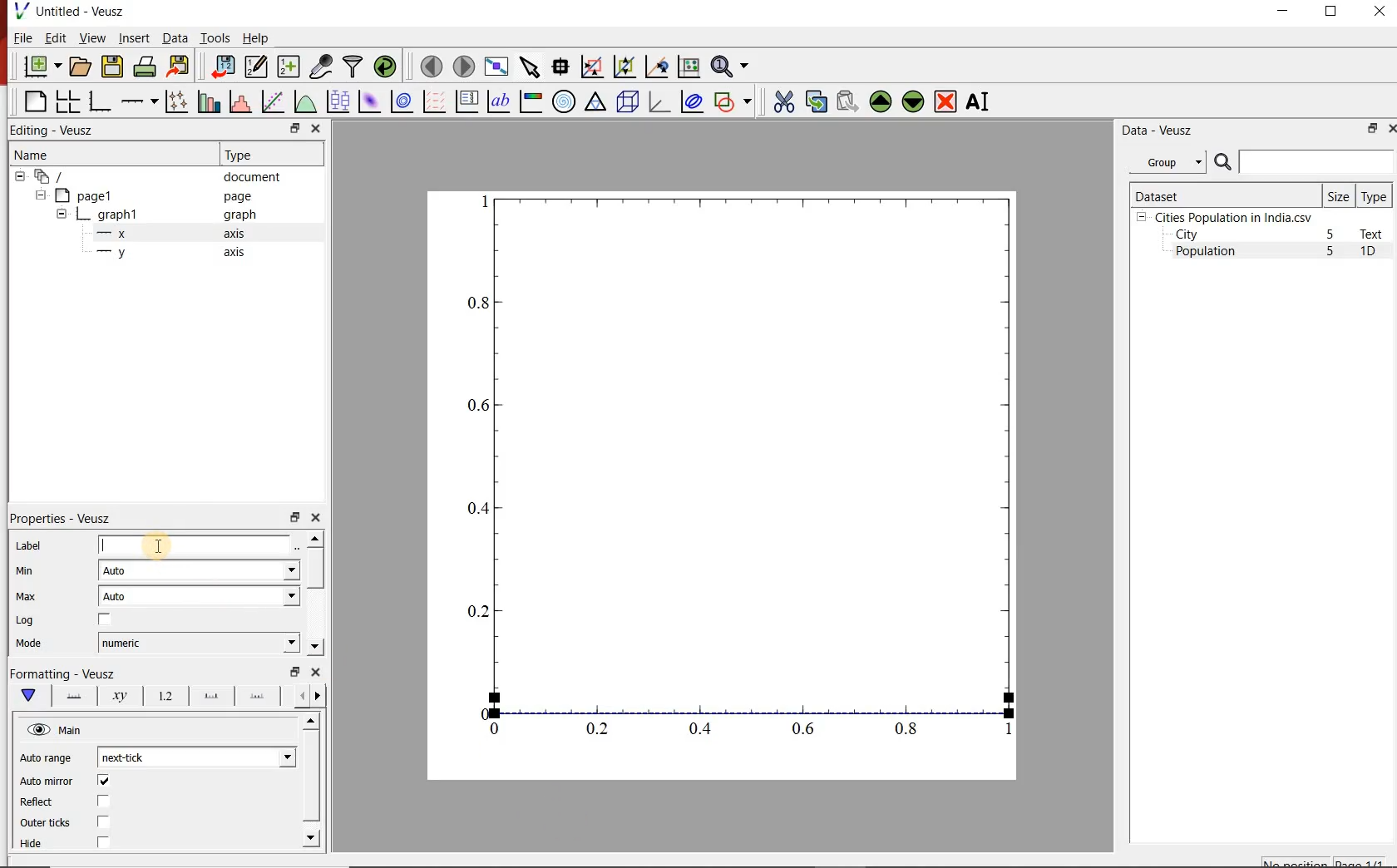  What do you see at coordinates (179, 67) in the screenshot?
I see `export to graphics format` at bounding box center [179, 67].